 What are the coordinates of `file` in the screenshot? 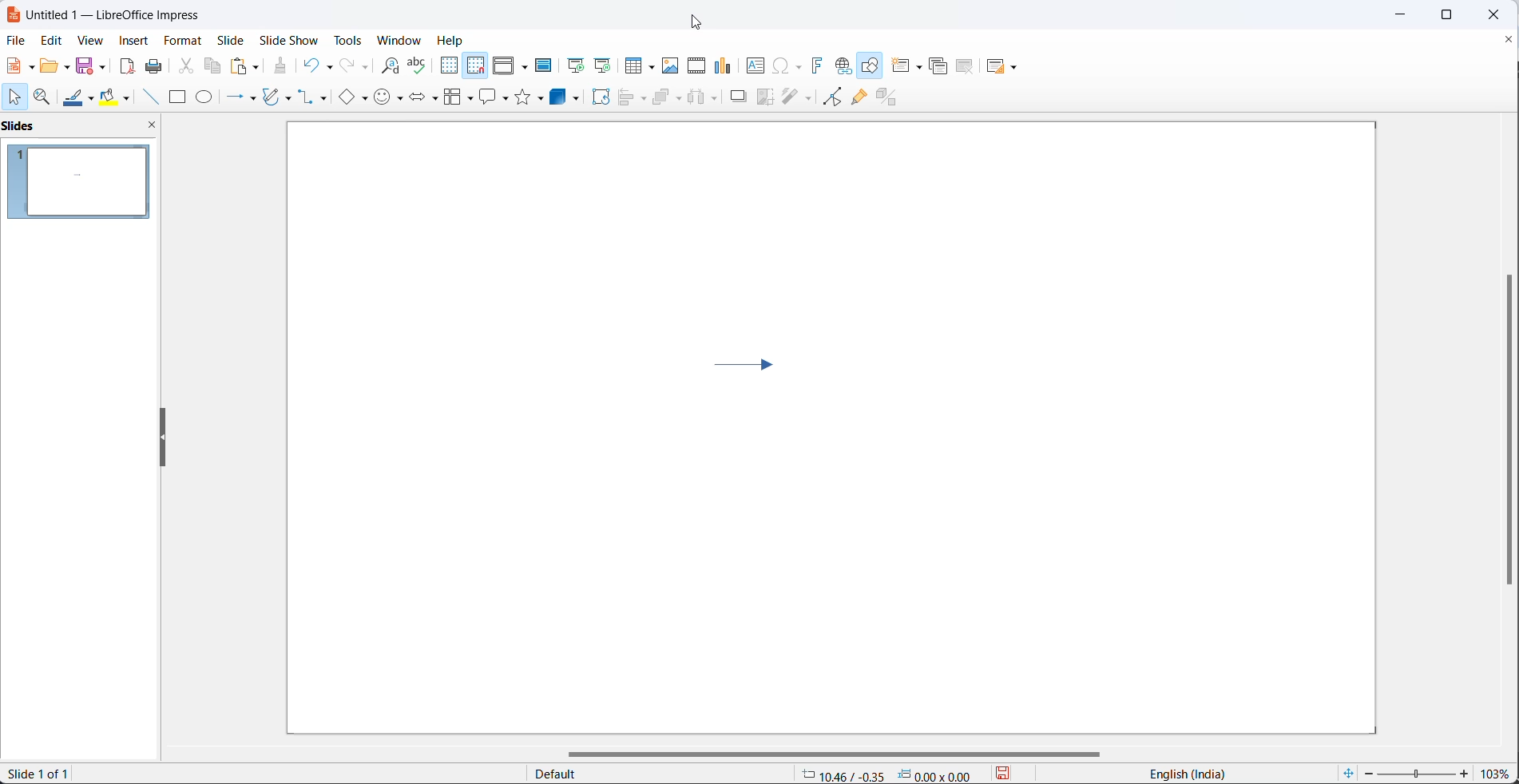 It's located at (14, 40).